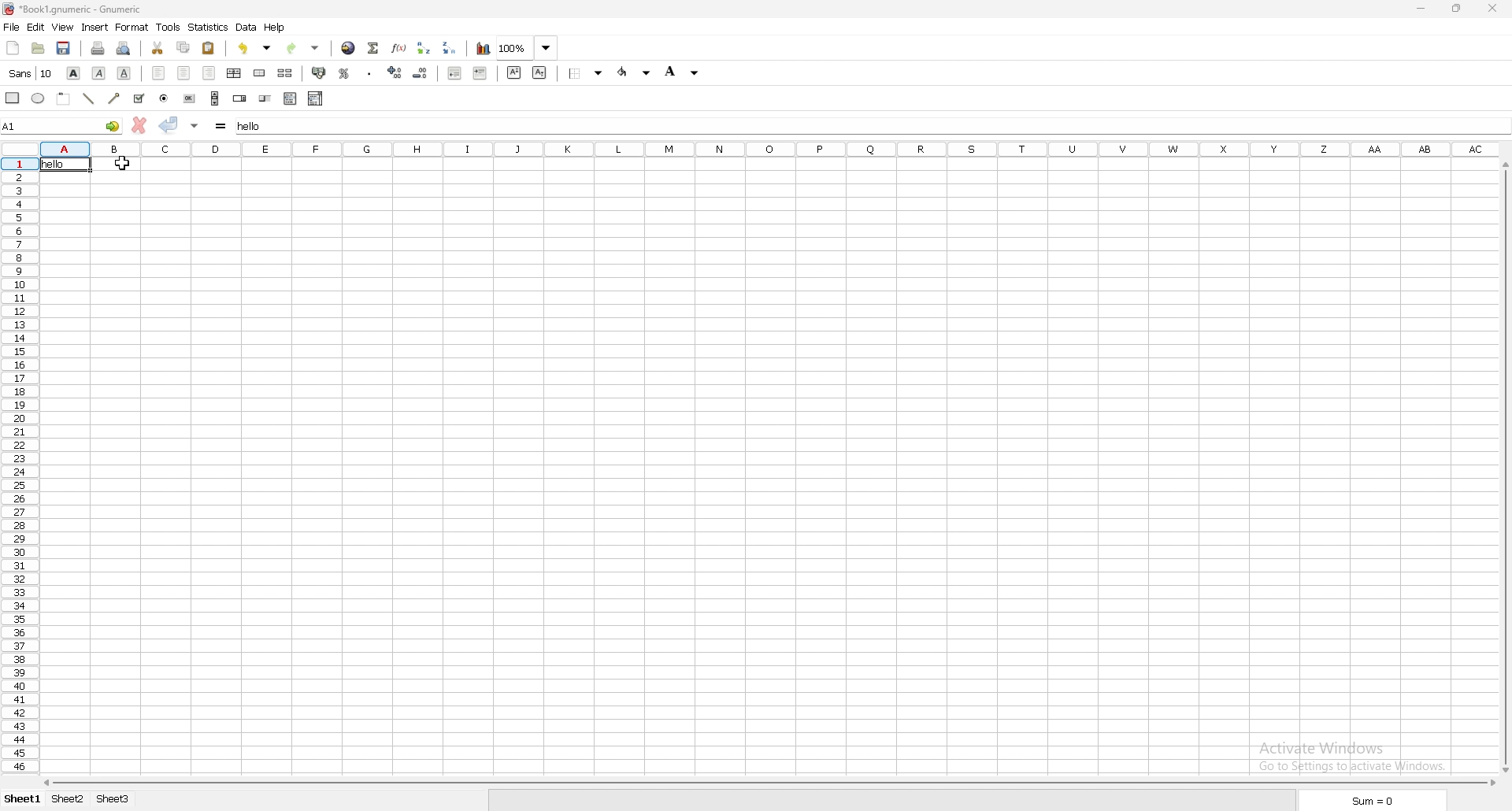 The image size is (1512, 811). I want to click on thousands separator, so click(370, 72).